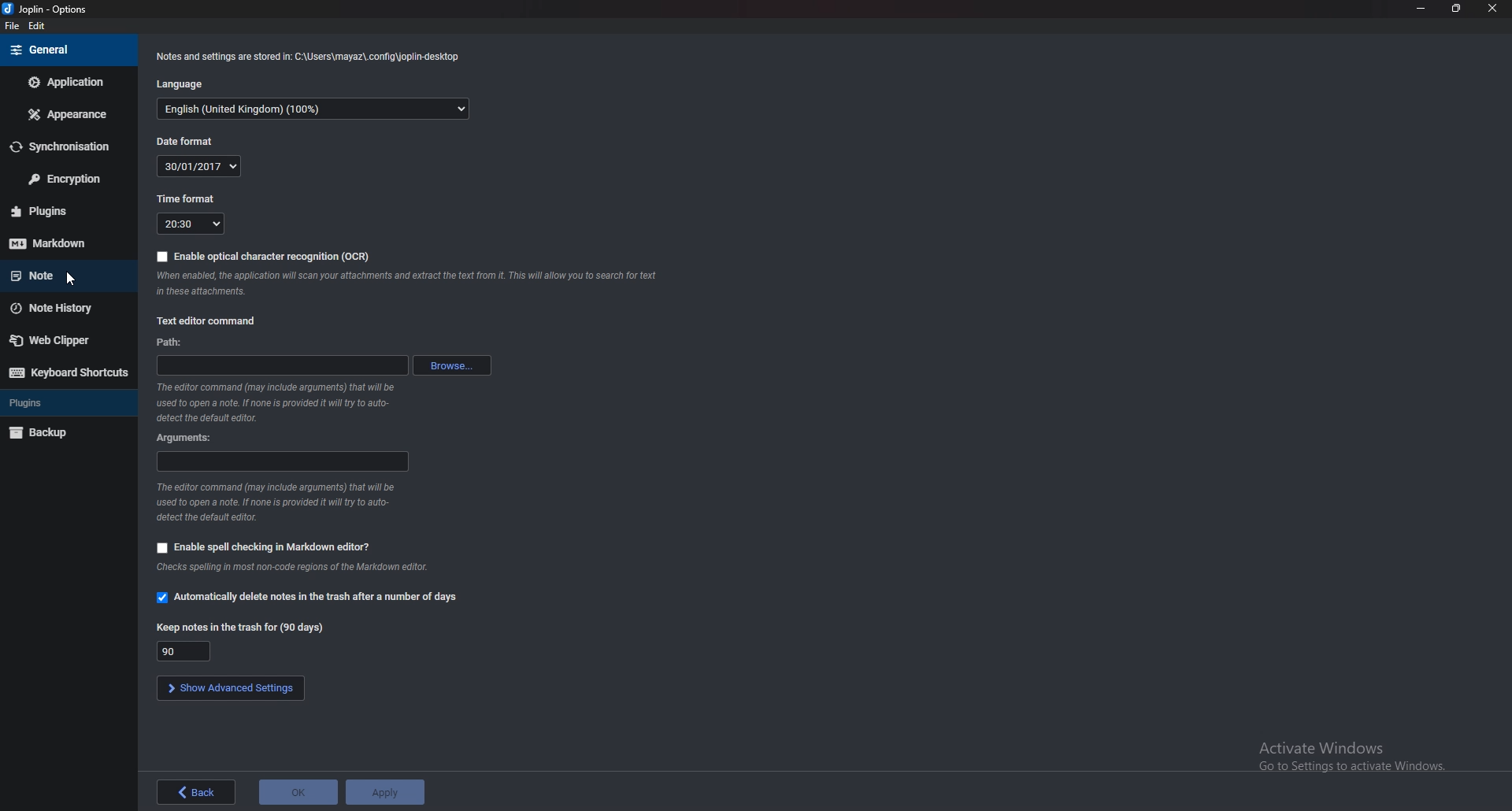  I want to click on Keyboard shortcuts, so click(67, 372).